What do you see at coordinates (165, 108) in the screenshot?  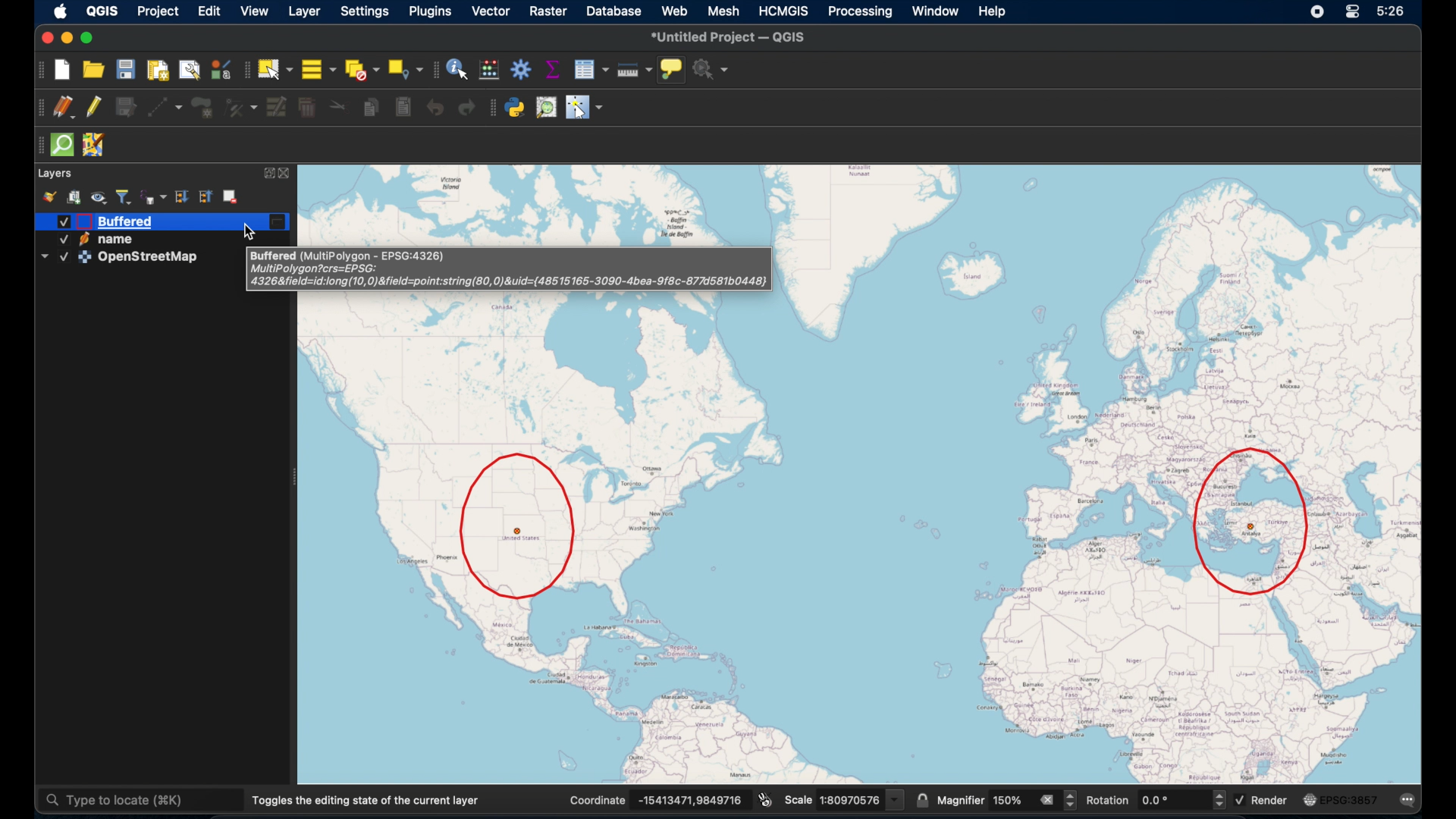 I see `digitize with segment` at bounding box center [165, 108].